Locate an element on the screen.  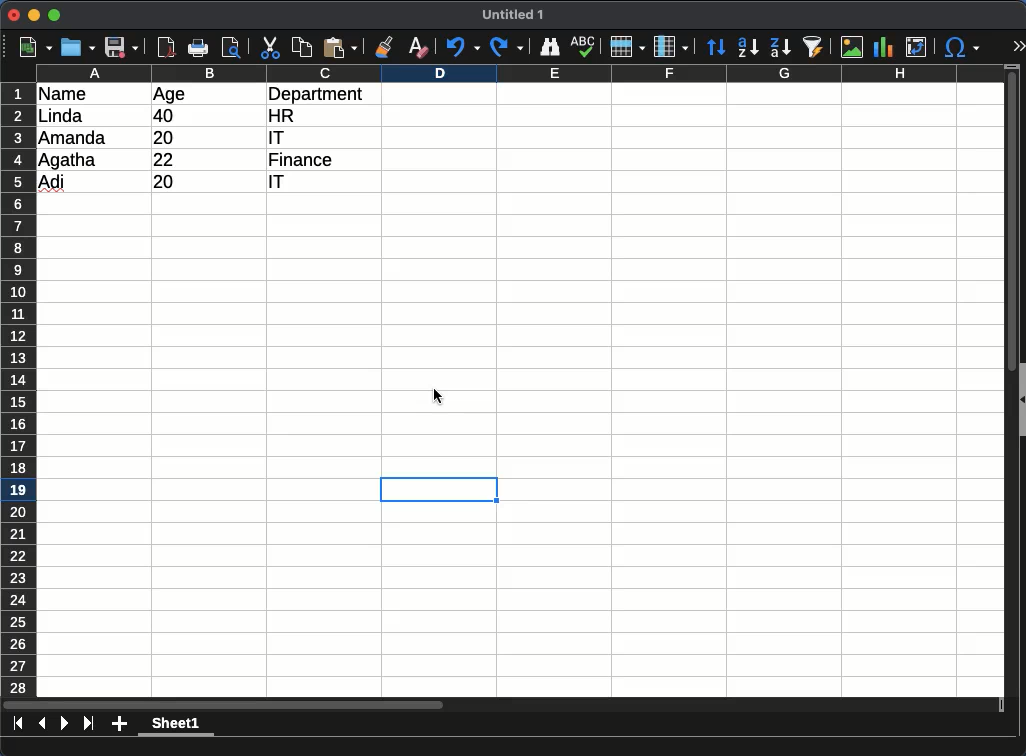
name is located at coordinates (73, 93).